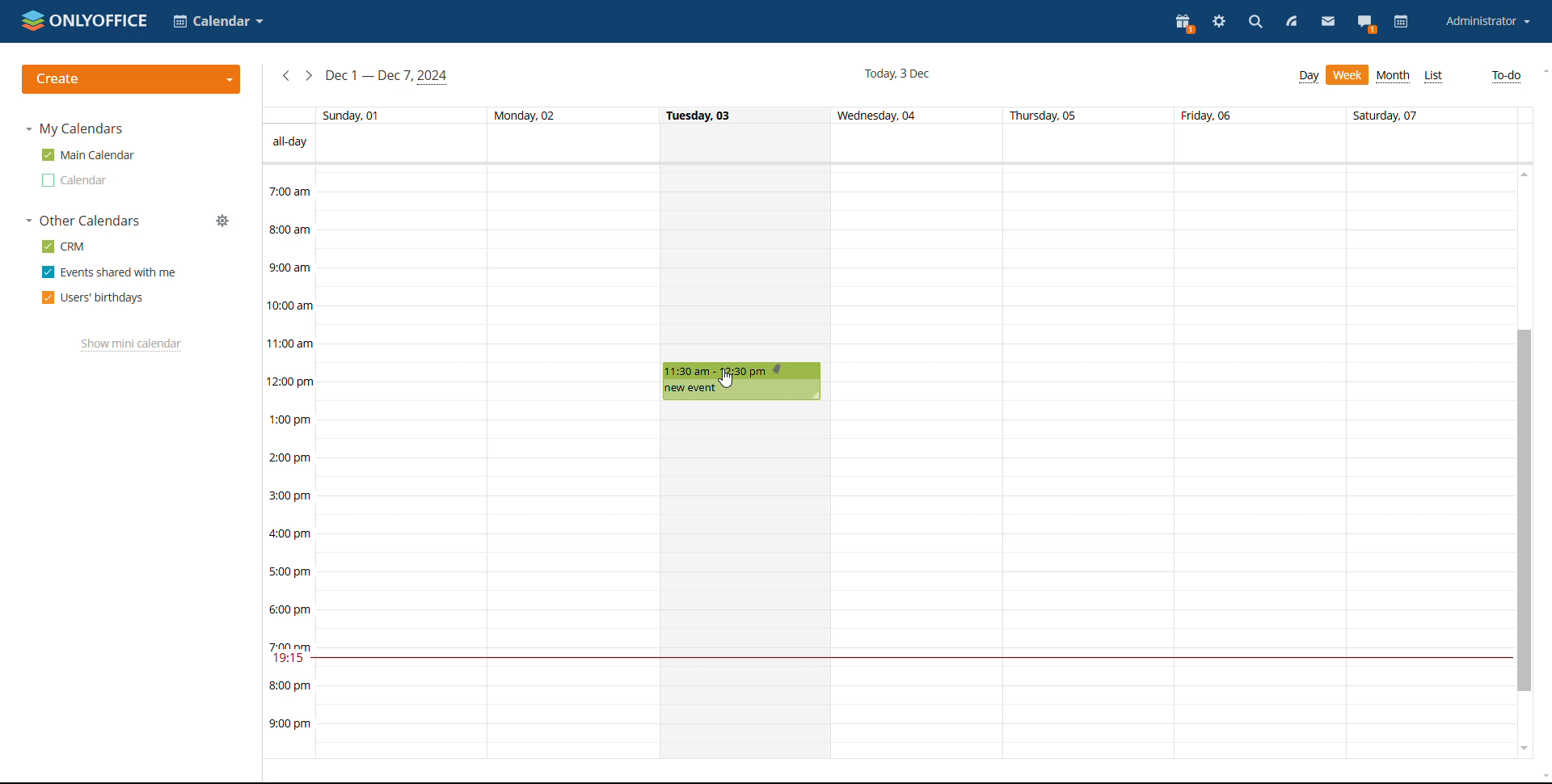 Image resolution: width=1552 pixels, height=784 pixels. Describe the element at coordinates (89, 154) in the screenshot. I see `Main Calendar` at that location.